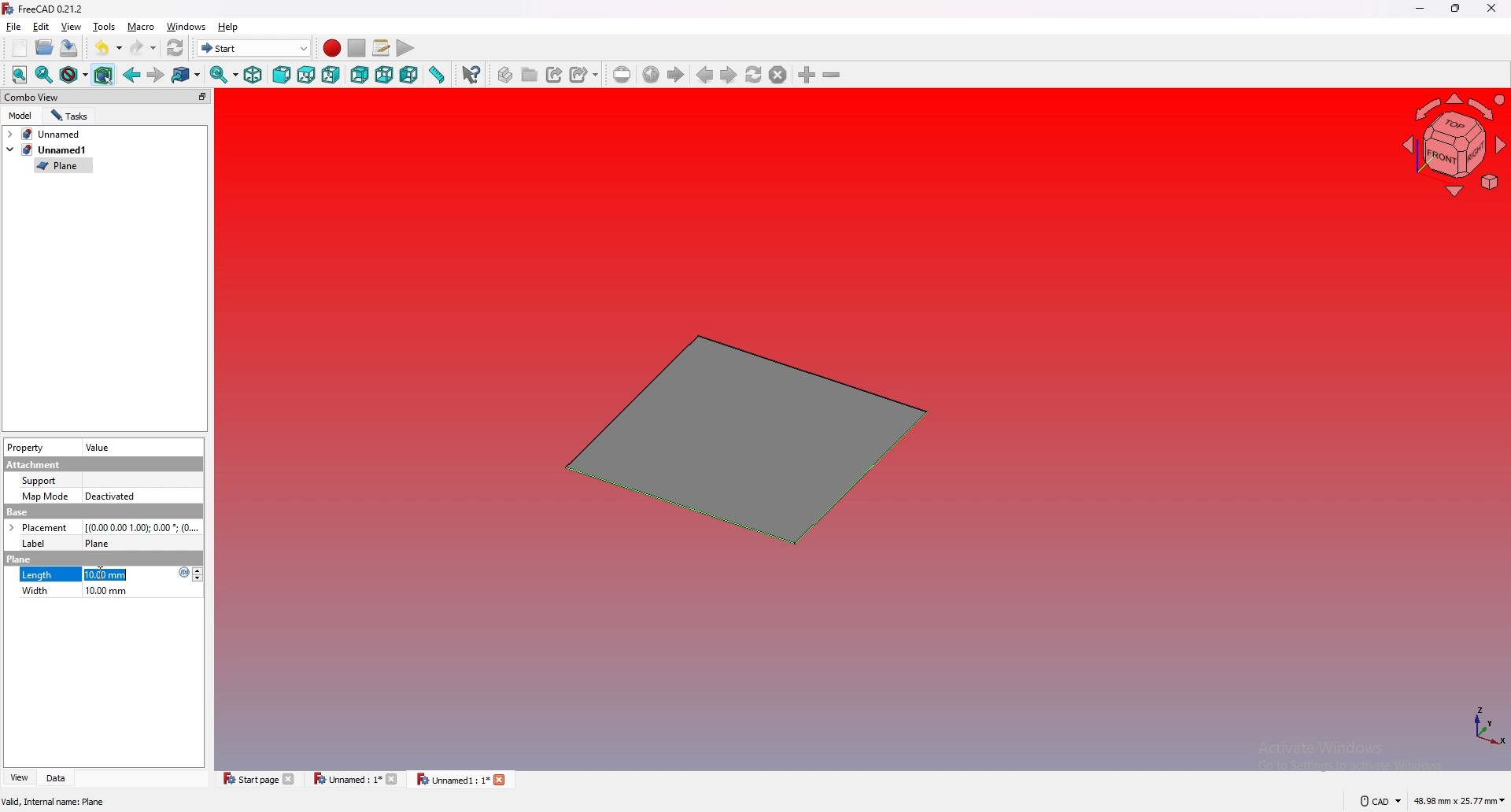 The image size is (1511, 812). I want to click on measure distance, so click(436, 74).